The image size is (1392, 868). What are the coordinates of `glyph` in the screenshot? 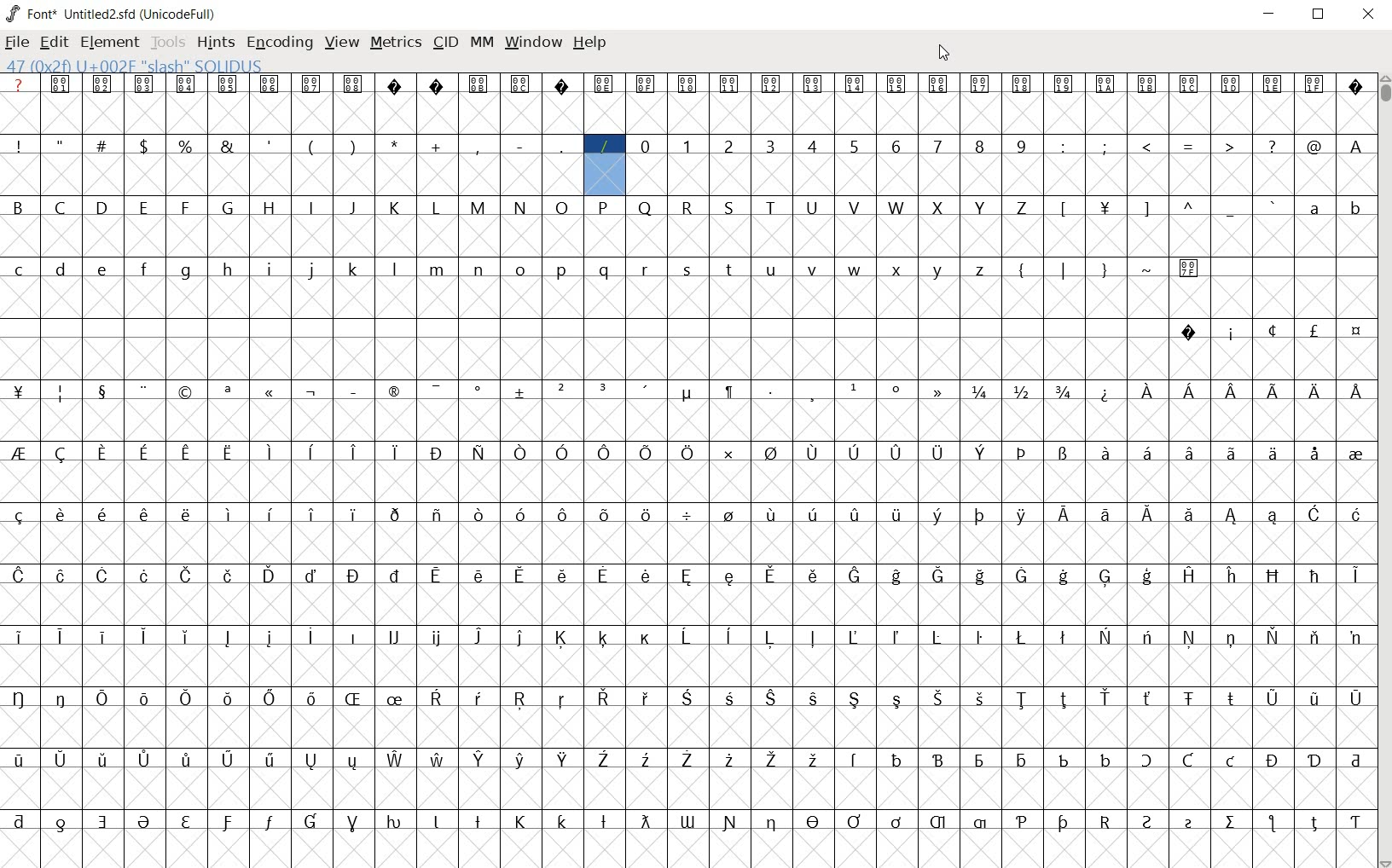 It's located at (896, 515).